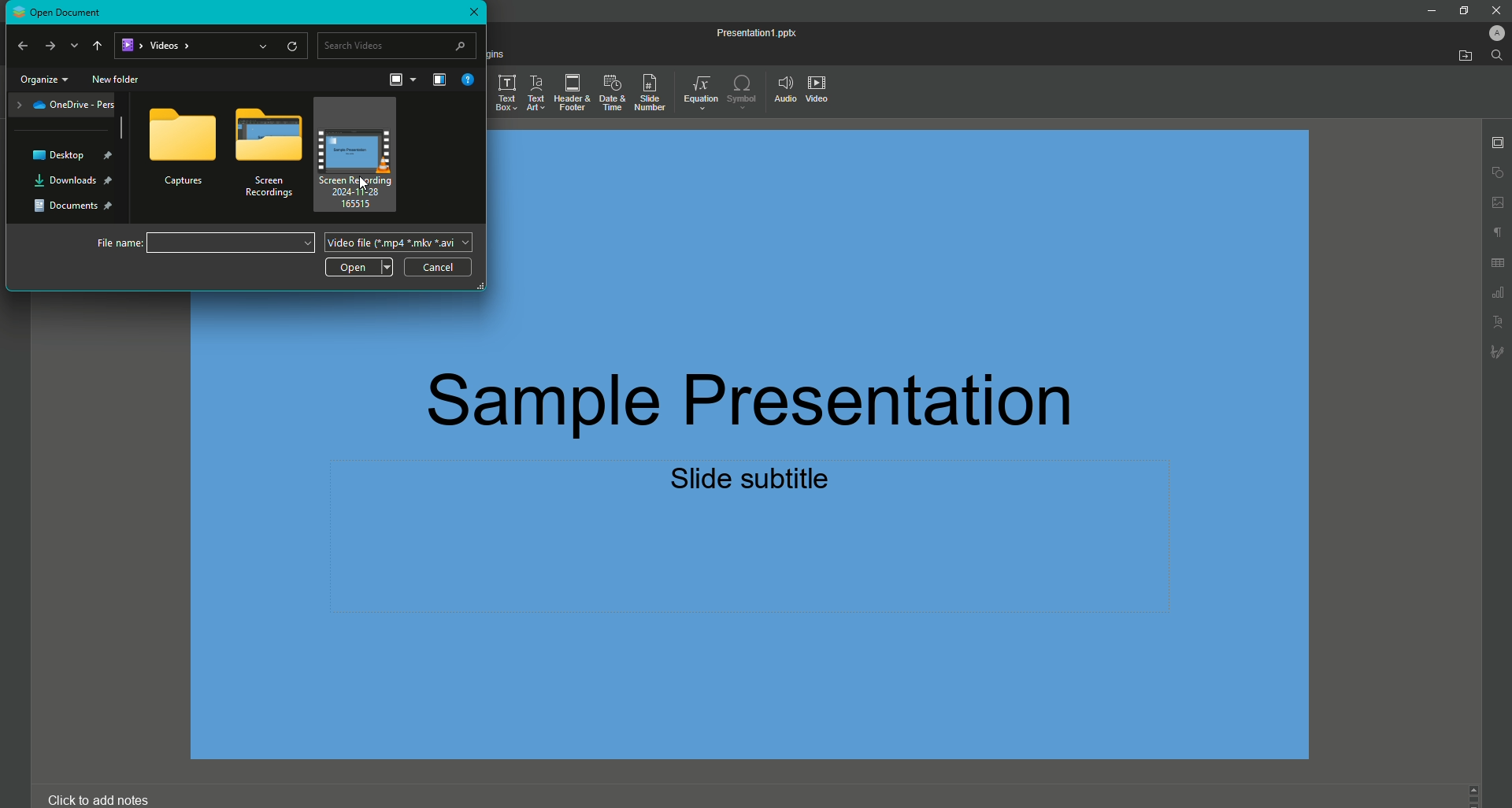  I want to click on Chart Settings, so click(1497, 294).